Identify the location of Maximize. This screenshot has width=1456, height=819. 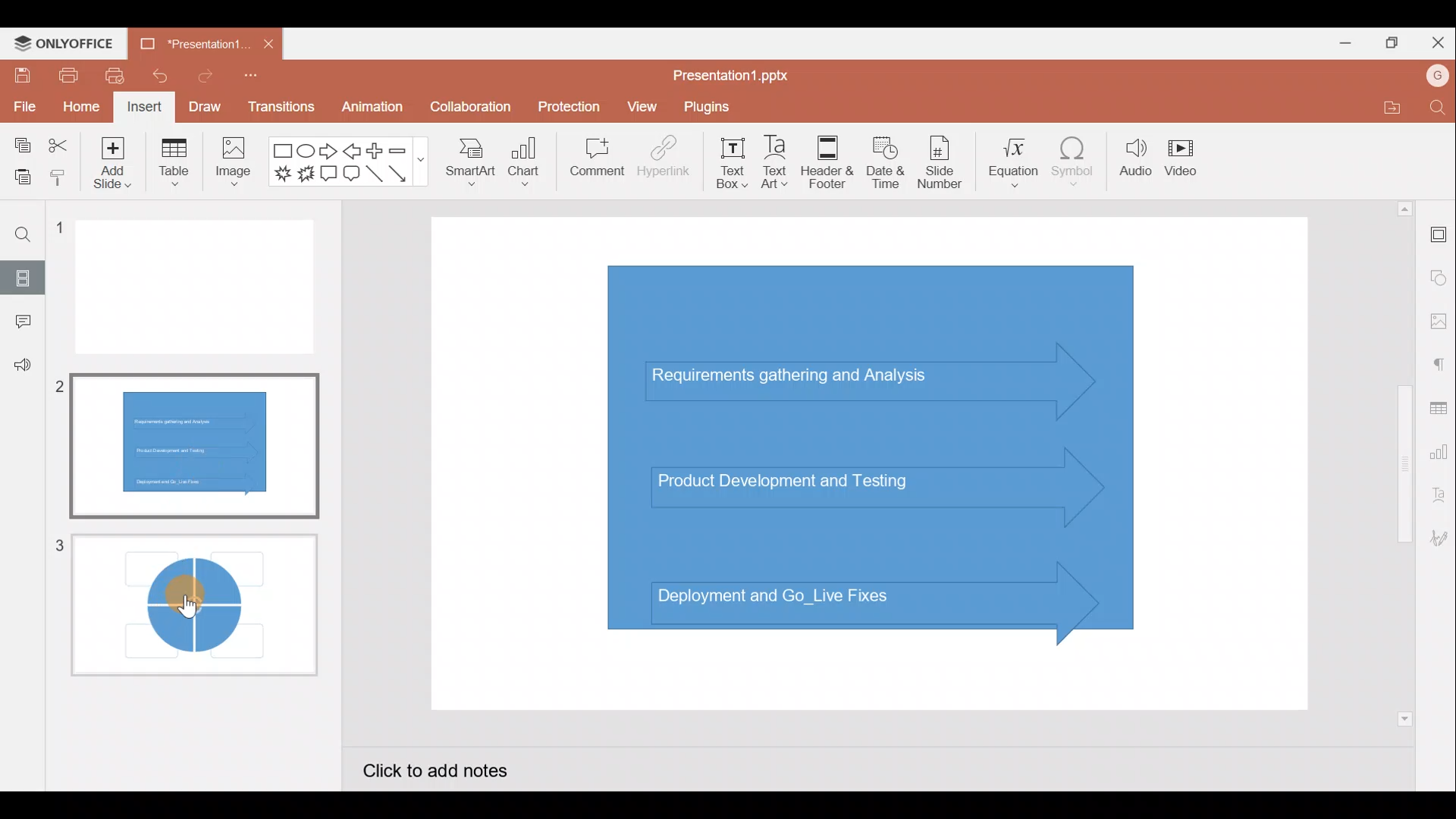
(1395, 41).